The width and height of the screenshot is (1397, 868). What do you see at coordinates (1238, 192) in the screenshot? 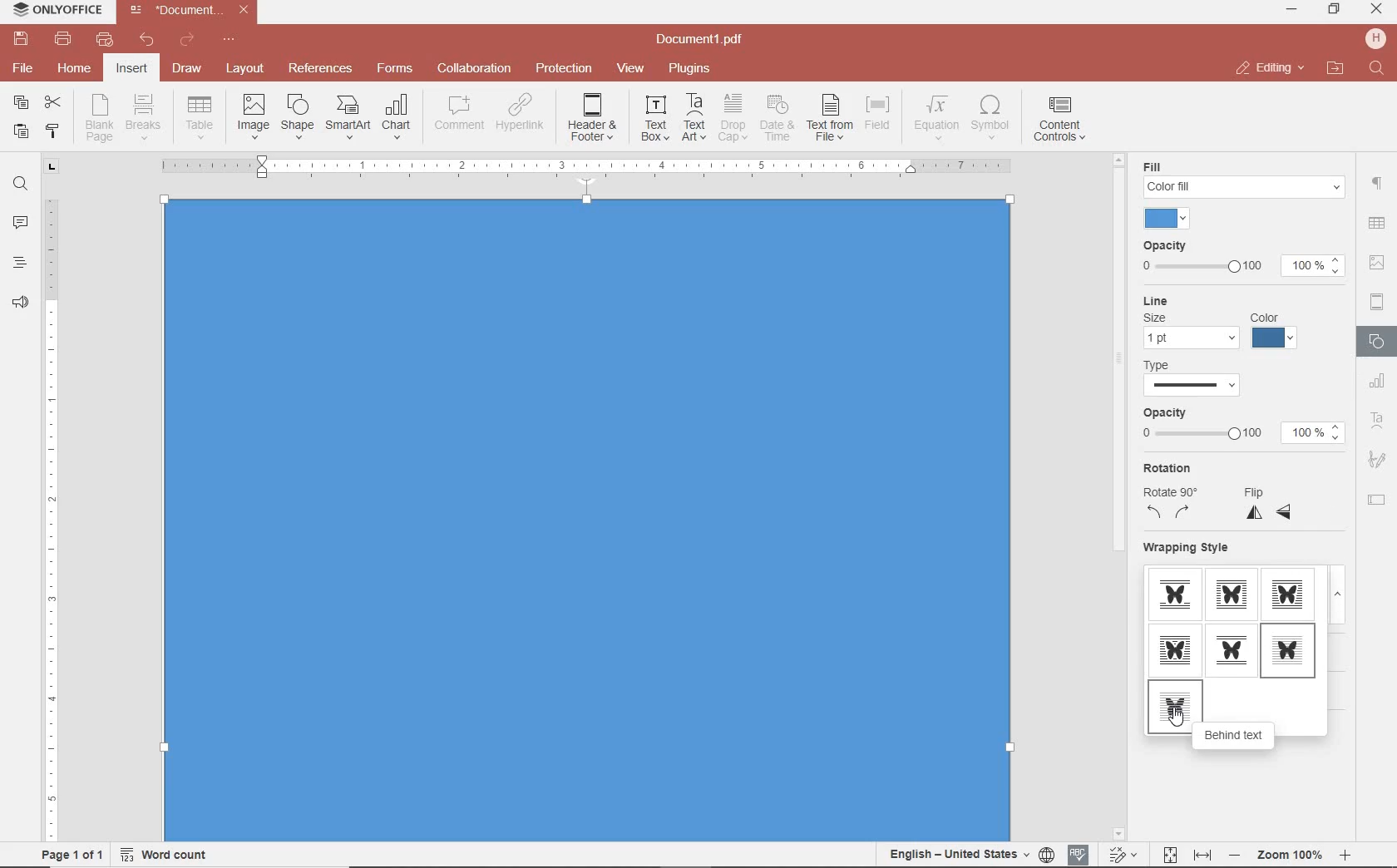
I see `FILL SETTINGS` at bounding box center [1238, 192].